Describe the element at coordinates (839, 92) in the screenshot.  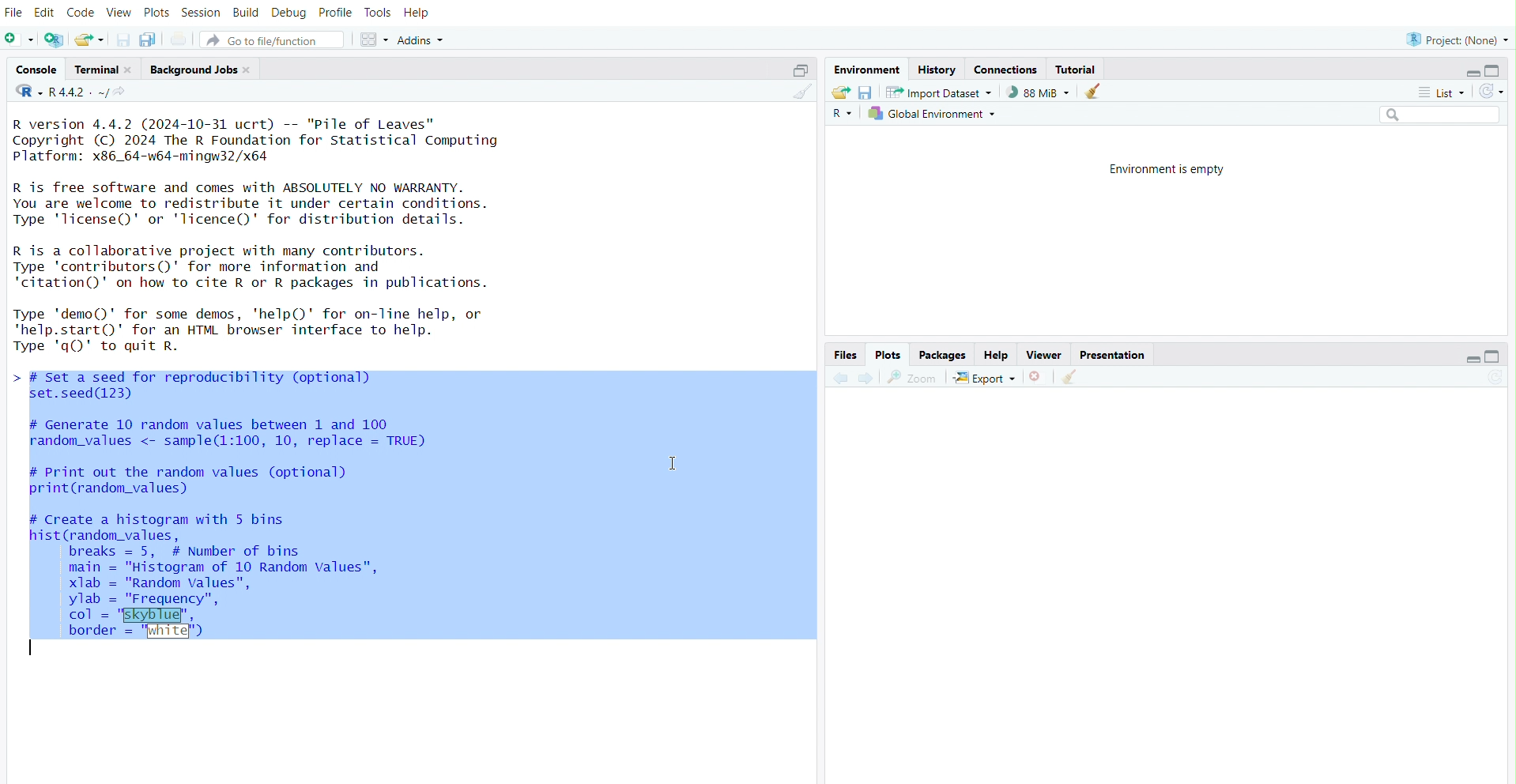
I see `load workspace` at that location.